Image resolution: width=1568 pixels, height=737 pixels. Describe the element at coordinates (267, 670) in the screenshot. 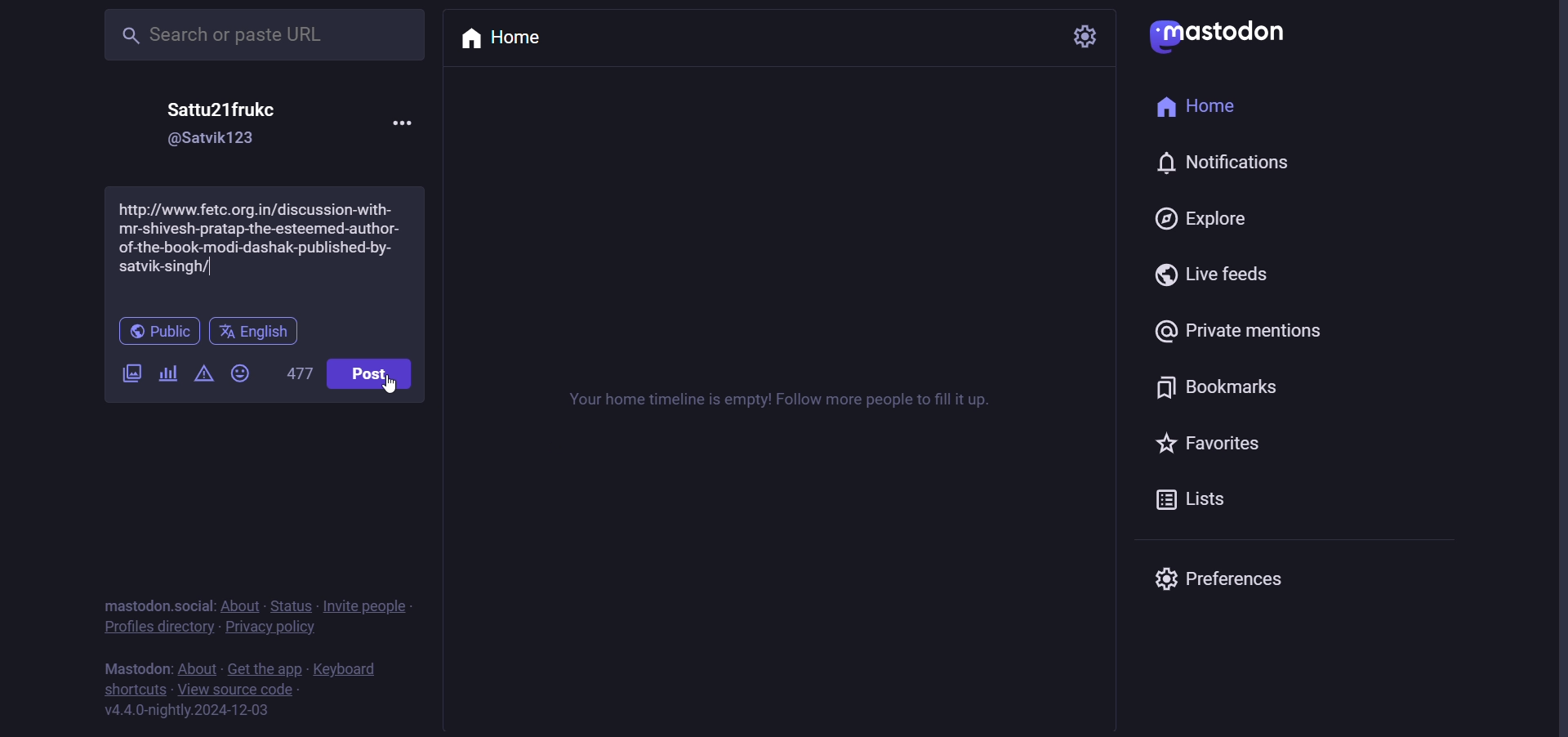

I see `get the app` at that location.